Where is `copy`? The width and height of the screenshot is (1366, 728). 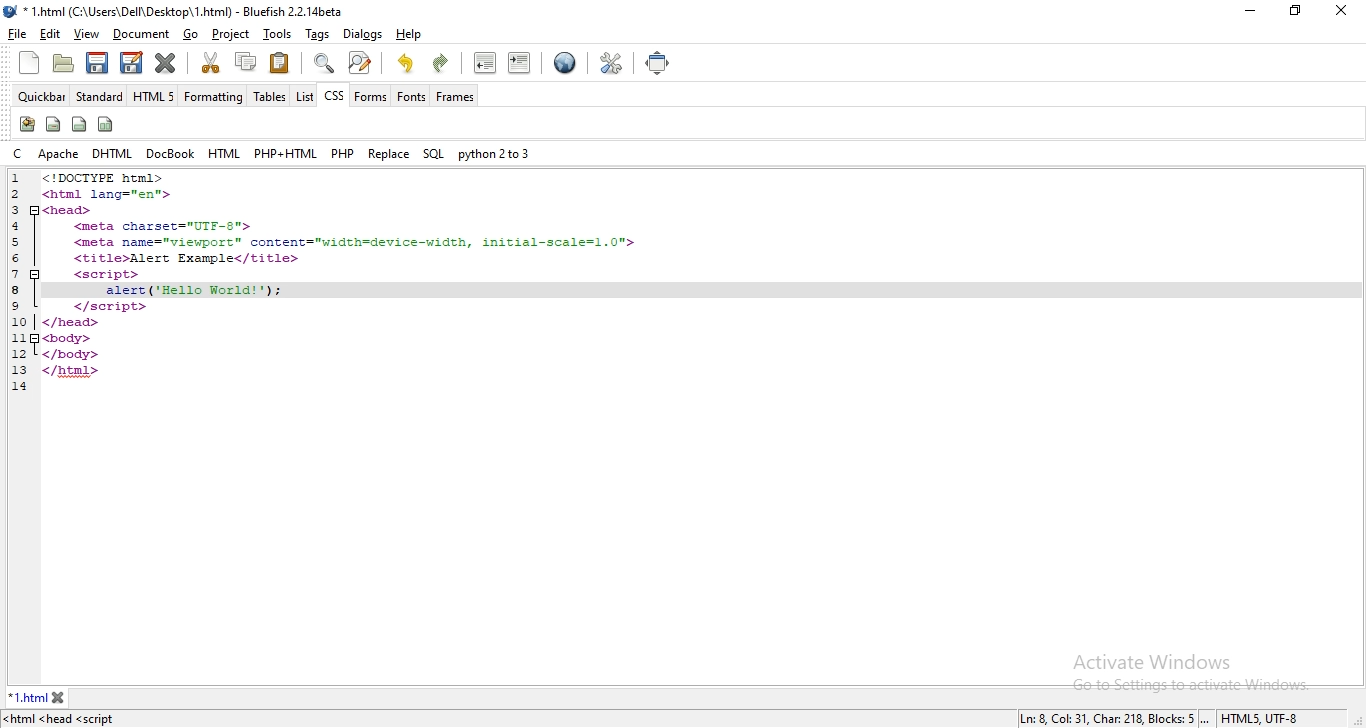 copy is located at coordinates (244, 64).